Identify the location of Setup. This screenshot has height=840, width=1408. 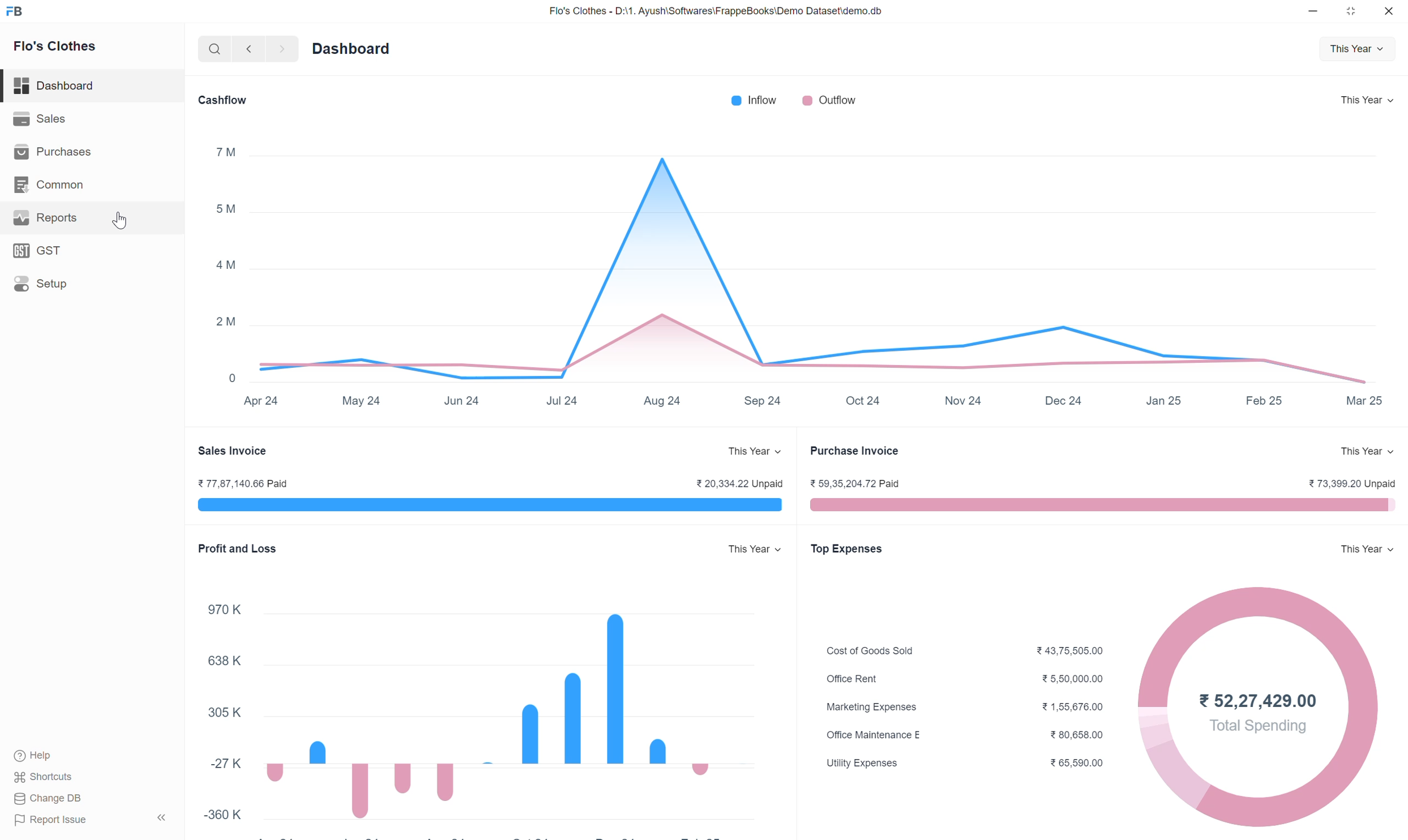
(41, 286).